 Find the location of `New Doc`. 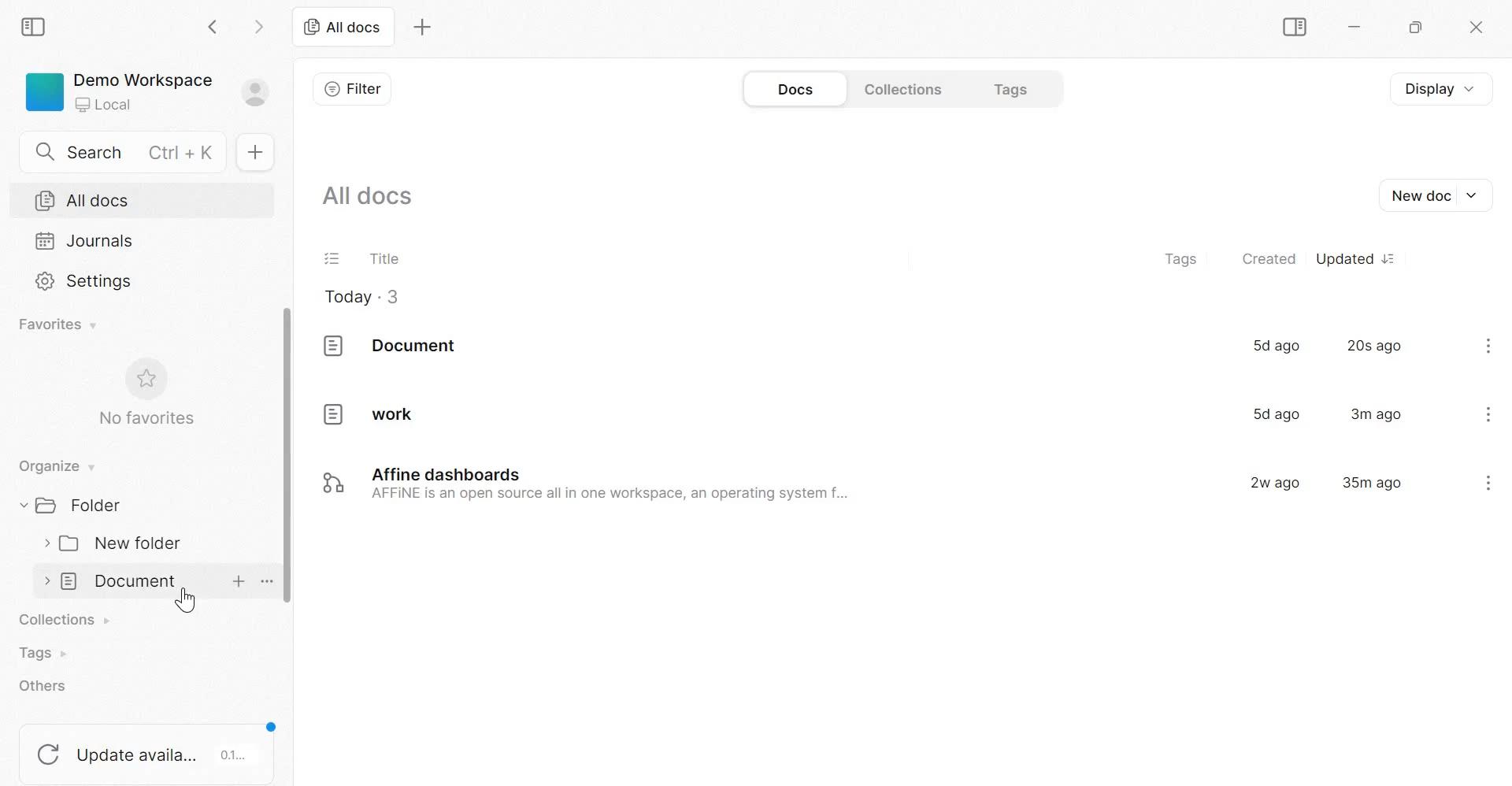

New Doc is located at coordinates (1443, 195).